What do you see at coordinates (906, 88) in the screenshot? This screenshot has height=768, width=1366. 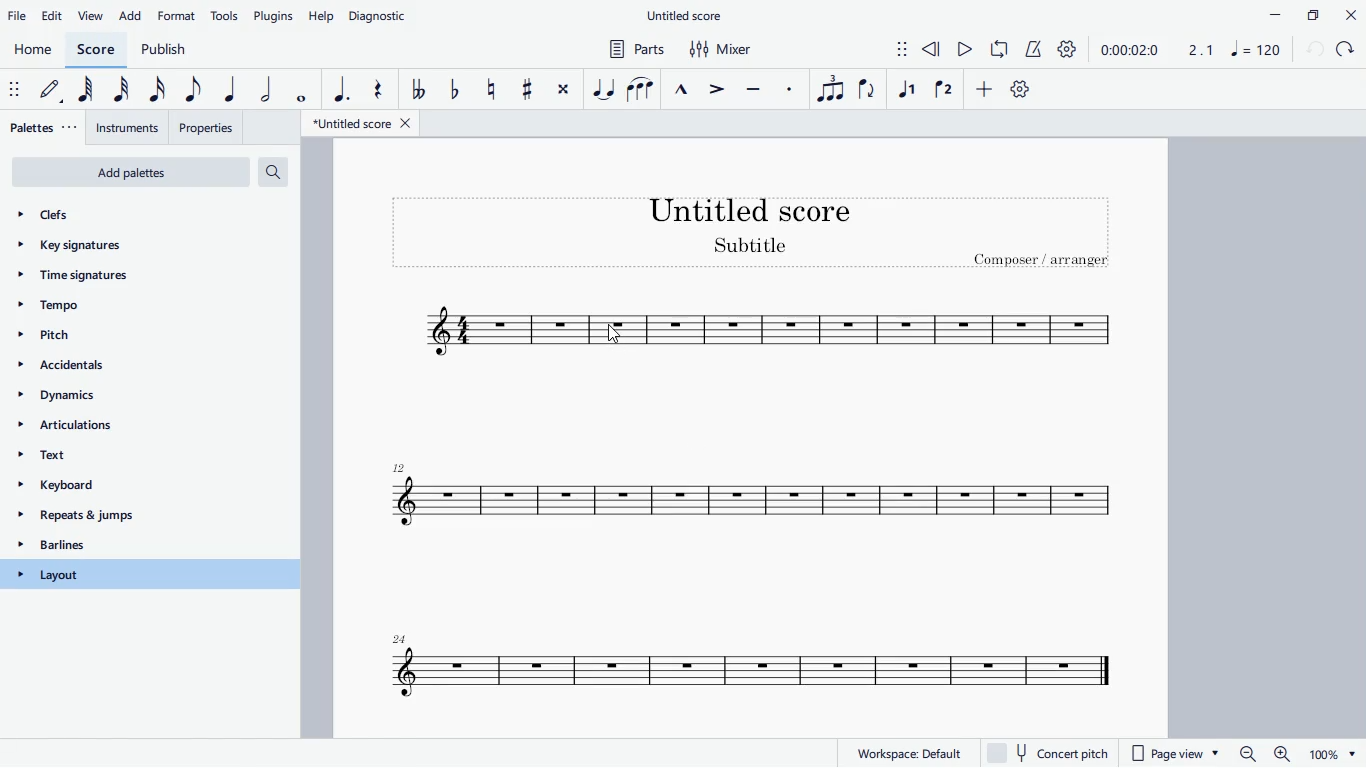 I see `voice 1` at bounding box center [906, 88].